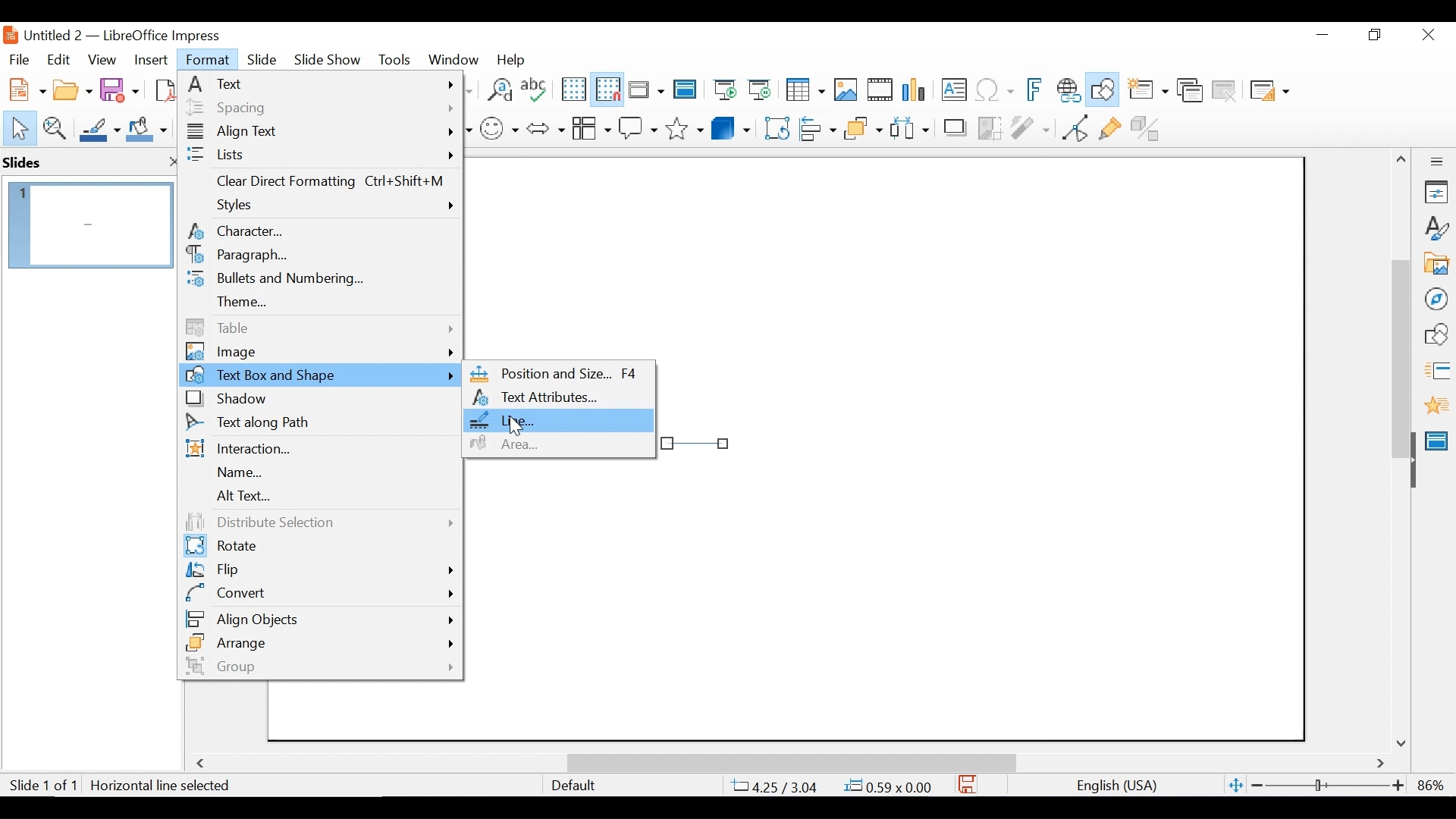 The width and height of the screenshot is (1456, 819). I want to click on 4.25/3.04   0.59x0.00, so click(833, 786).